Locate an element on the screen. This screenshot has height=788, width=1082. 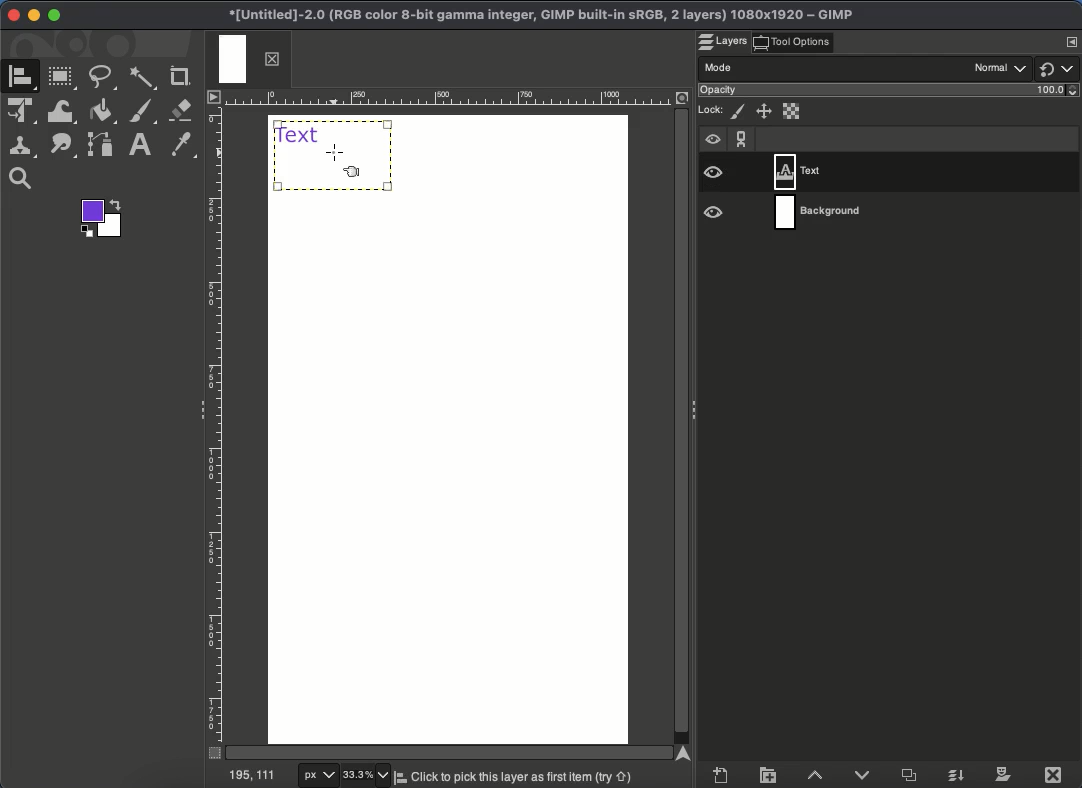
195, 111 is located at coordinates (254, 776).